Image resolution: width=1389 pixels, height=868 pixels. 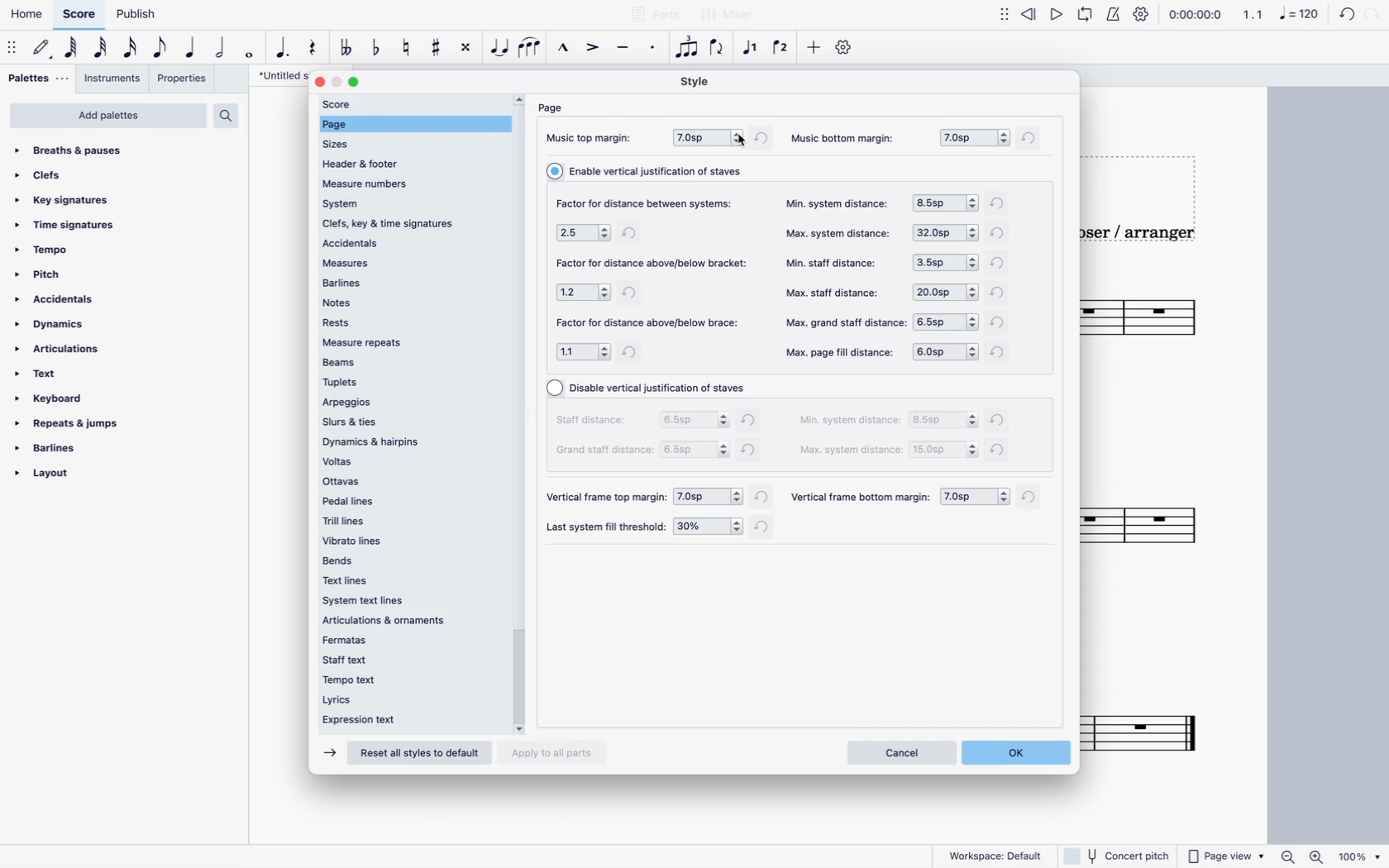 What do you see at coordinates (1001, 325) in the screenshot?
I see `refresh` at bounding box center [1001, 325].